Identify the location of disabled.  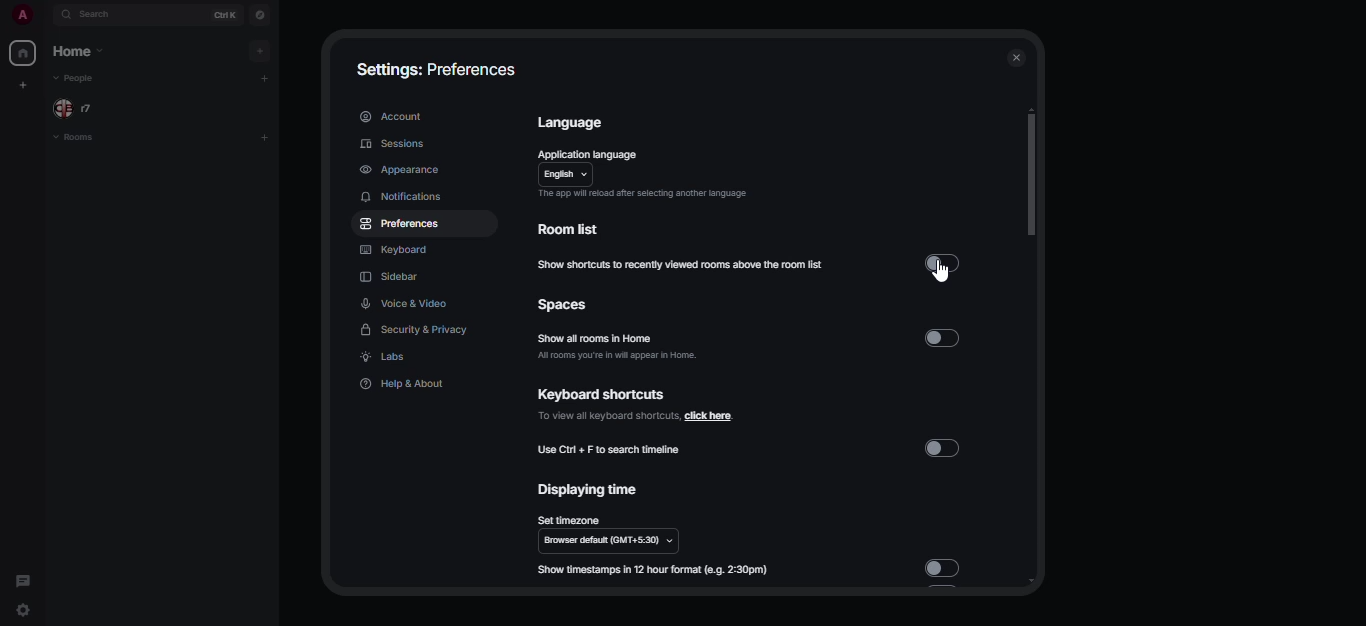
(947, 567).